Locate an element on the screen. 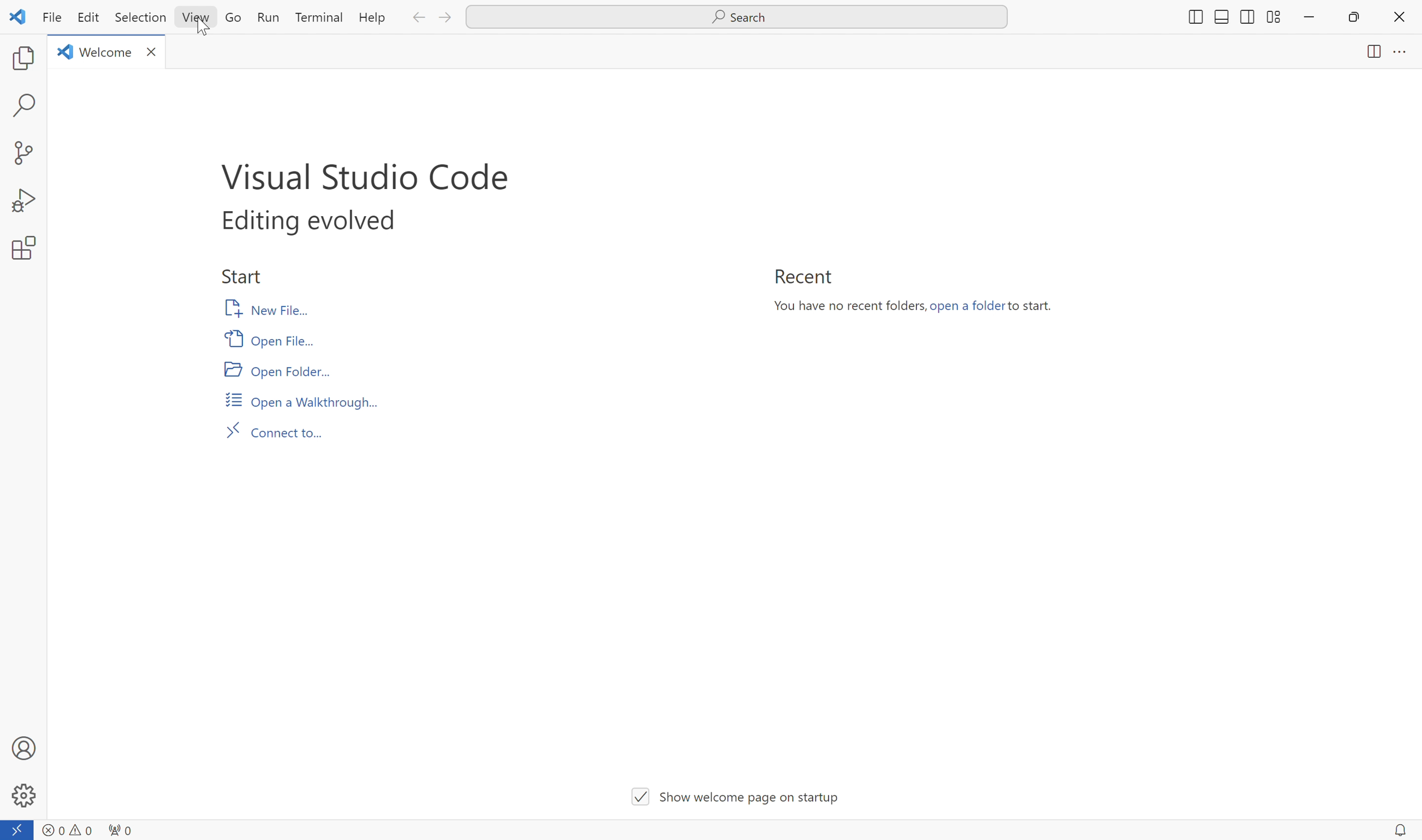 This screenshot has height=840, width=1422. welcome is located at coordinates (108, 52).